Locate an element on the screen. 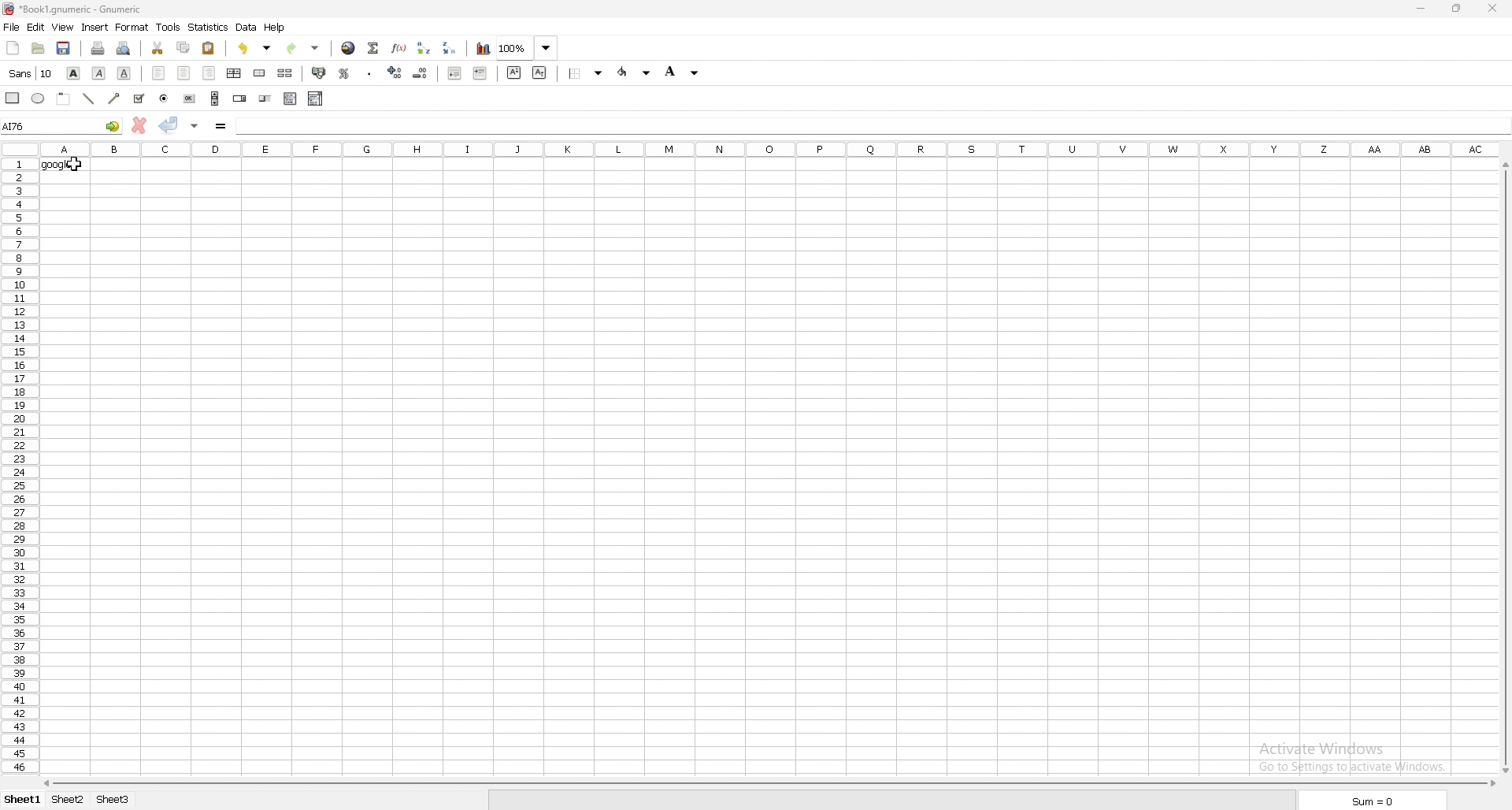 The image size is (1512, 810). edit is located at coordinates (36, 28).